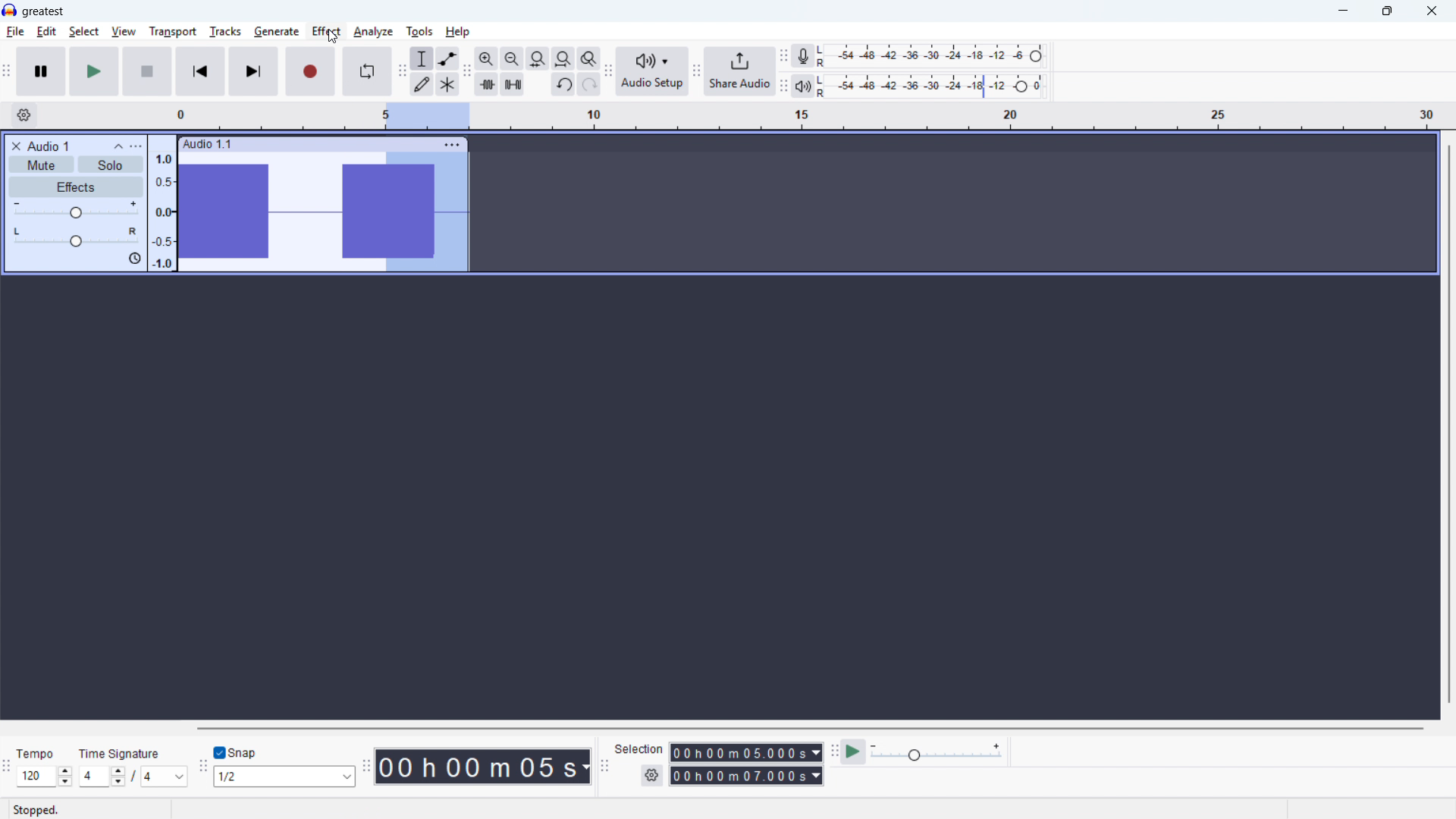 The width and height of the screenshot is (1456, 819). I want to click on , so click(35, 755).